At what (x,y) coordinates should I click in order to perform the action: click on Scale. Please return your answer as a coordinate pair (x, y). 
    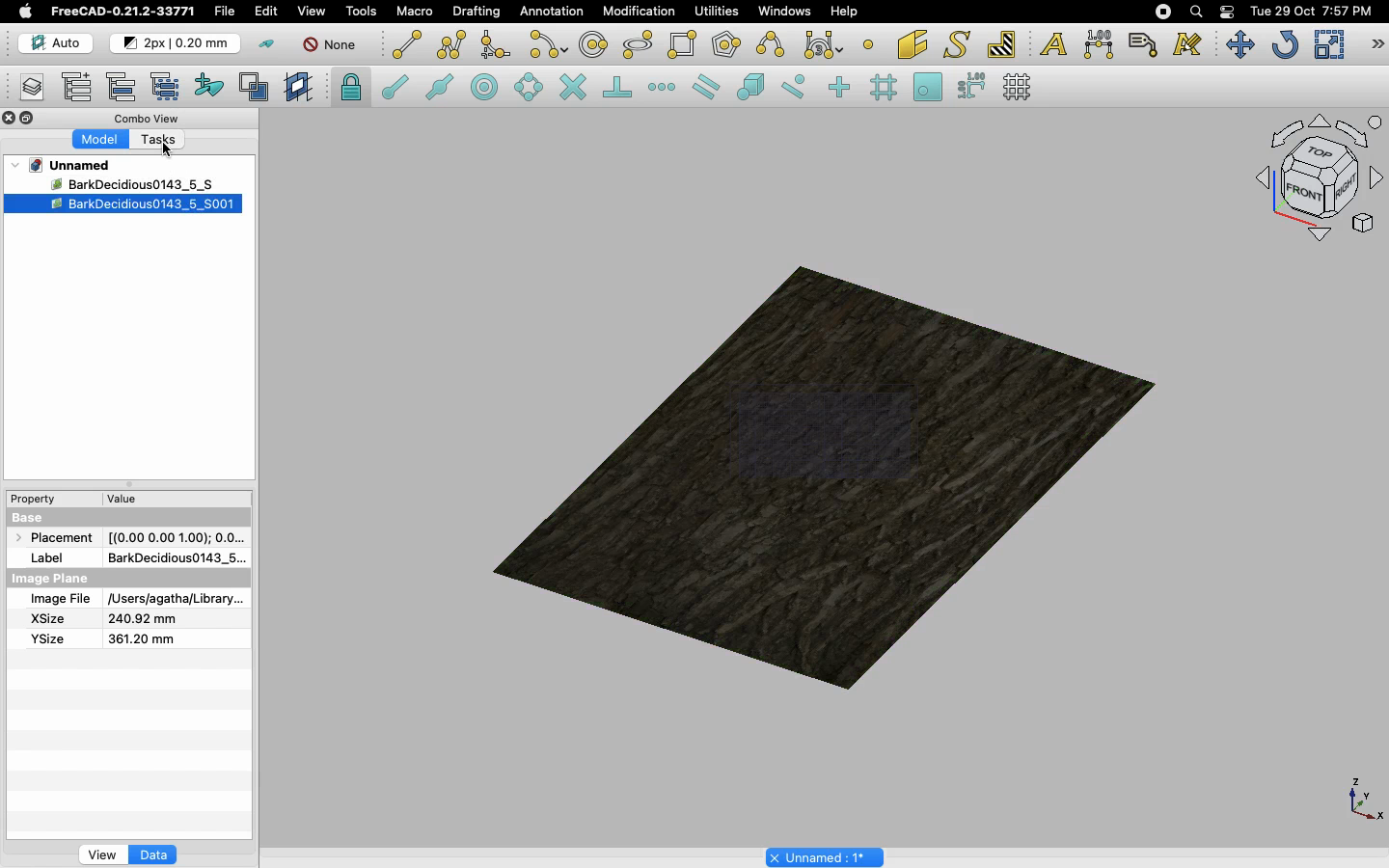
    Looking at the image, I should click on (1328, 44).